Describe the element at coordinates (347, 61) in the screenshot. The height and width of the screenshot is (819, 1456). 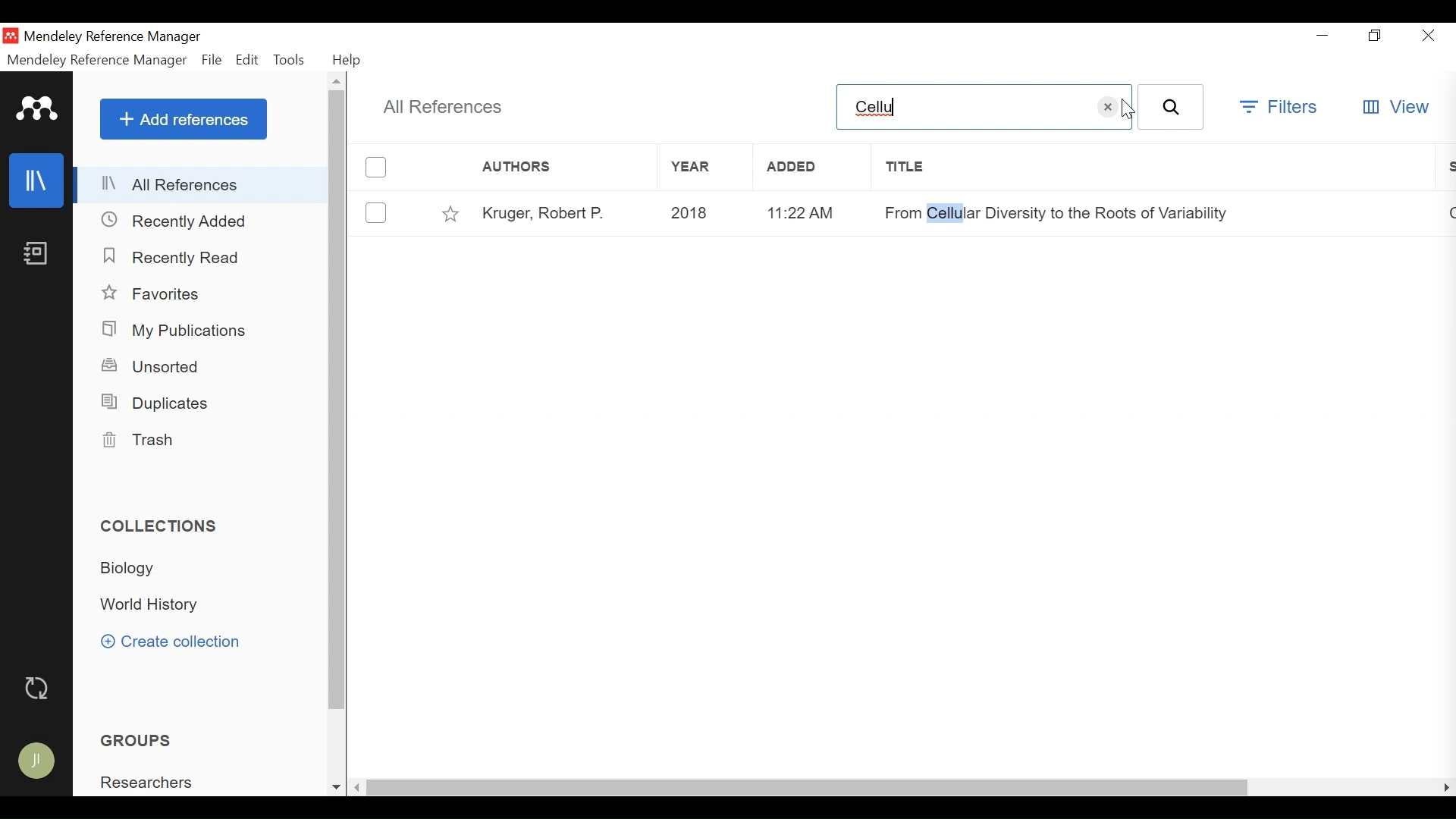
I see `Help` at that location.